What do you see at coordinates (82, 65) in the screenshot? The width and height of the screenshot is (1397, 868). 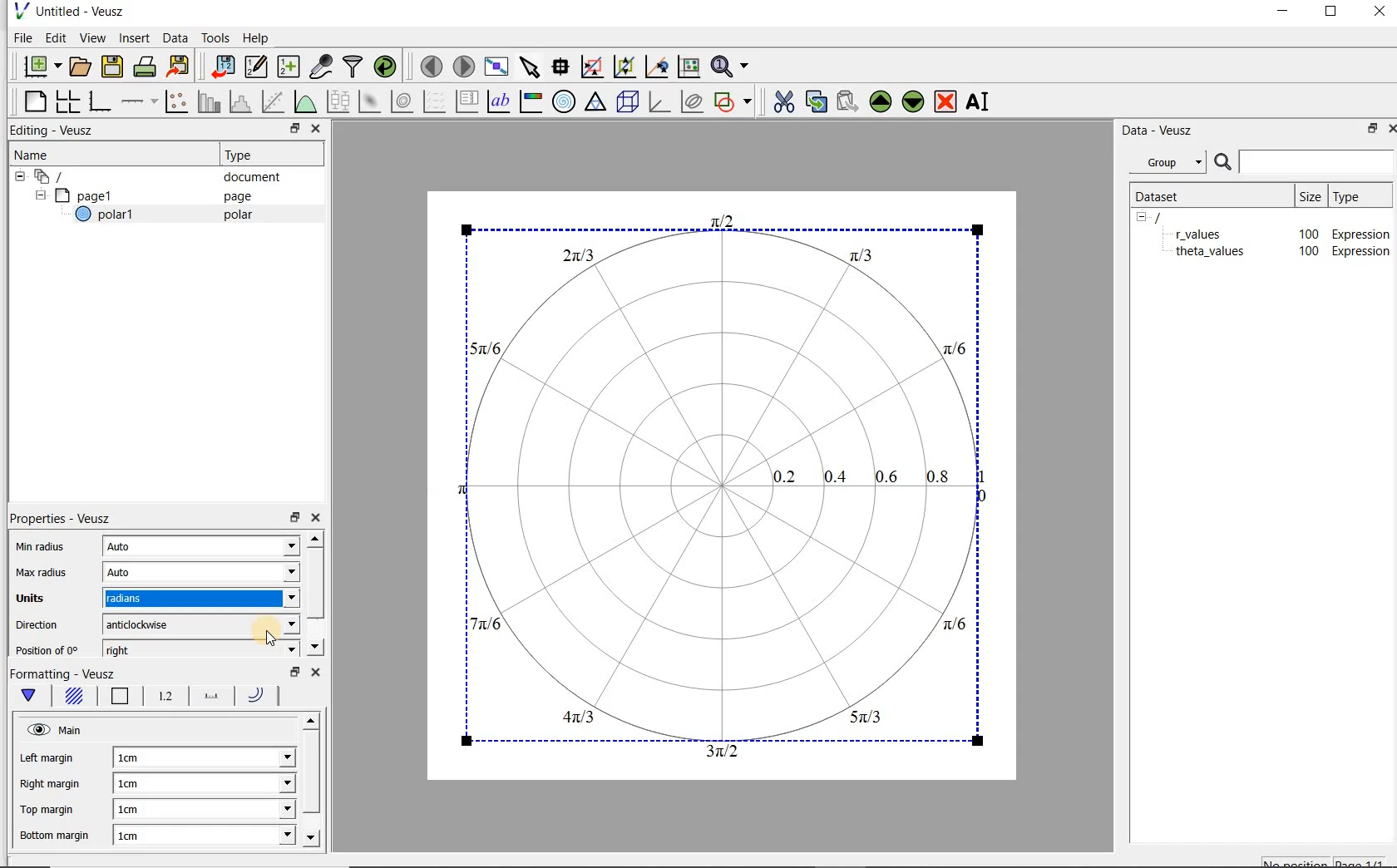 I see `open a document` at bounding box center [82, 65].